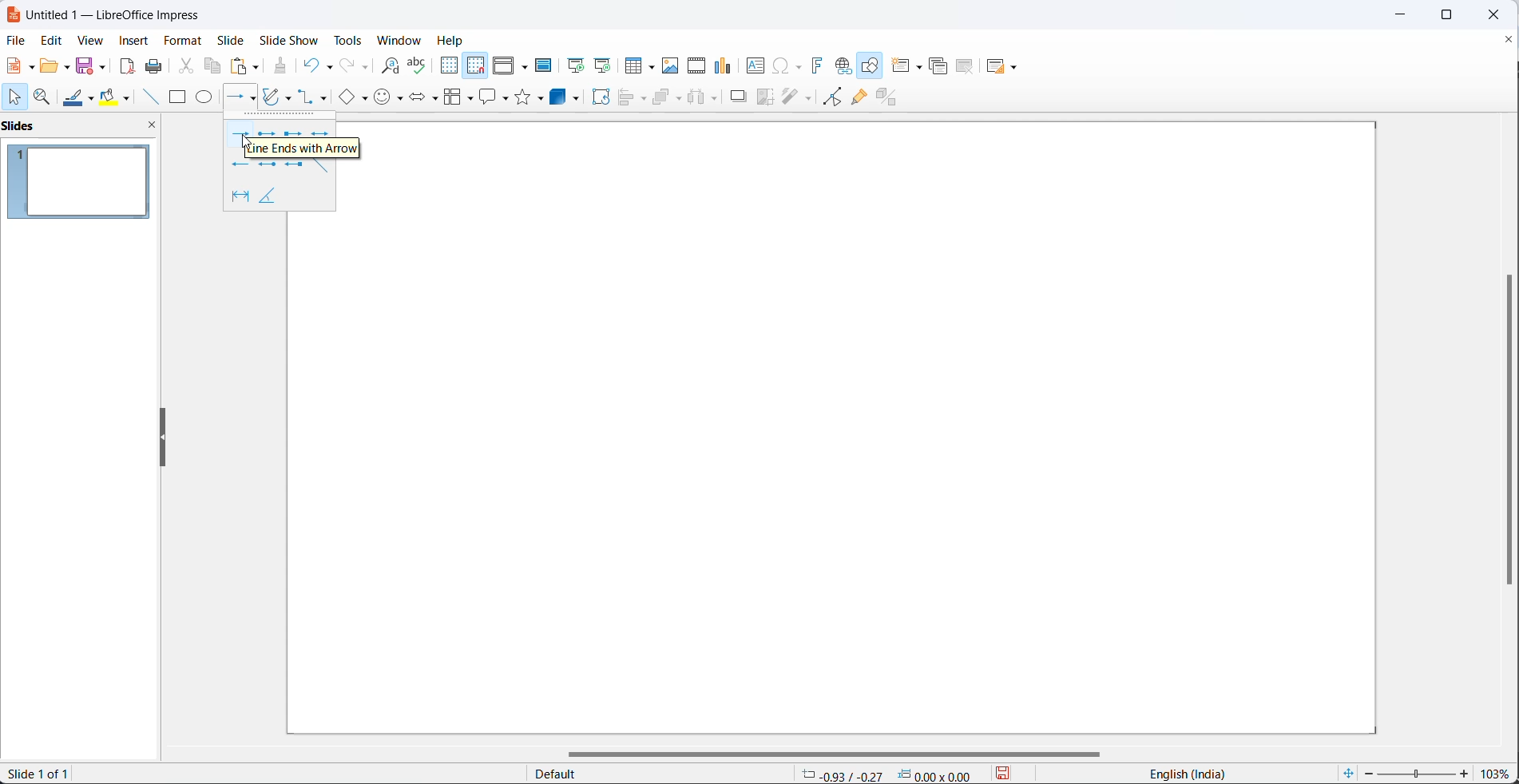 This screenshot has height=784, width=1519. Describe the element at coordinates (256, 99) in the screenshot. I see `line and arrows options` at that location.